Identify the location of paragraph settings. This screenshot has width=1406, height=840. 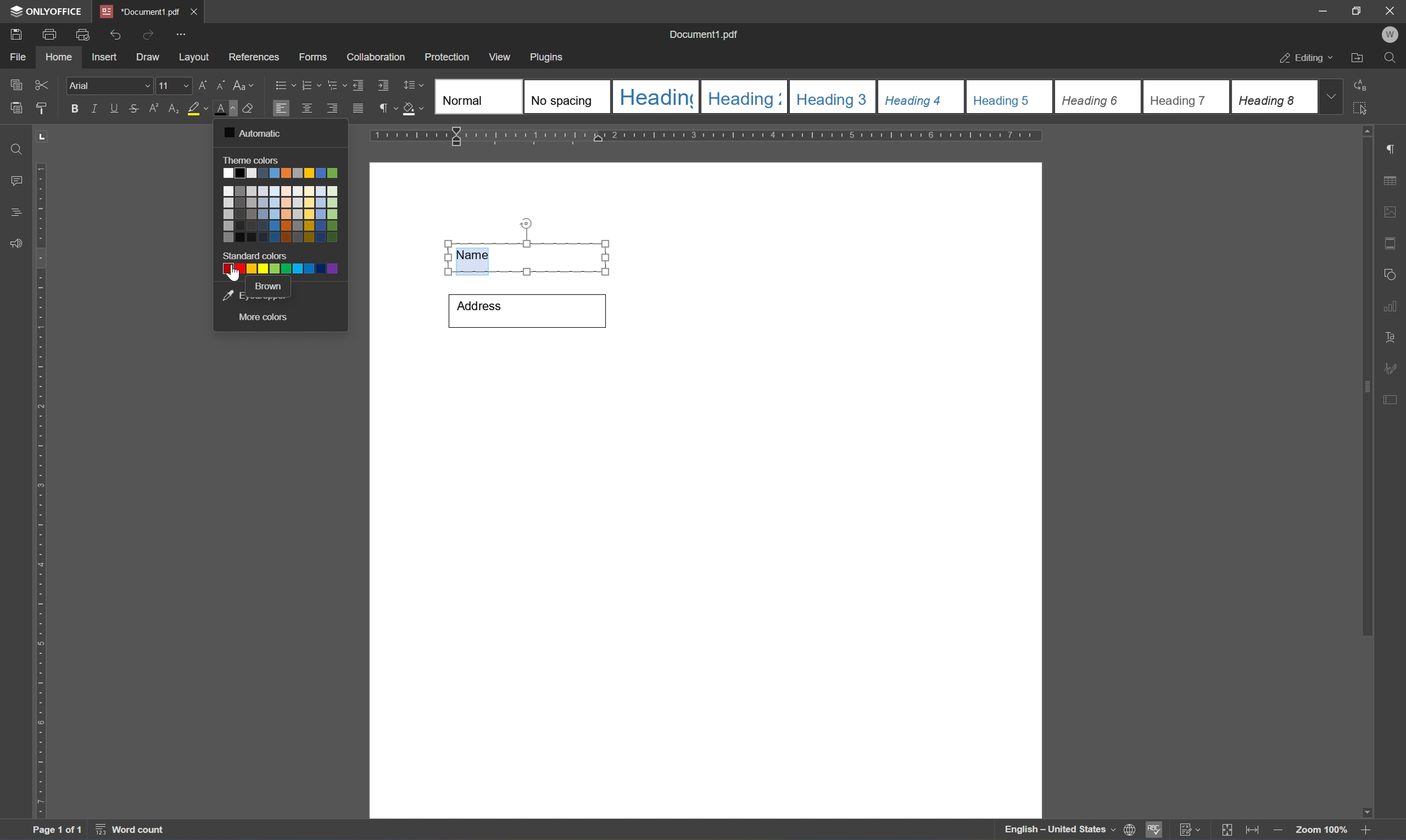
(1393, 147).